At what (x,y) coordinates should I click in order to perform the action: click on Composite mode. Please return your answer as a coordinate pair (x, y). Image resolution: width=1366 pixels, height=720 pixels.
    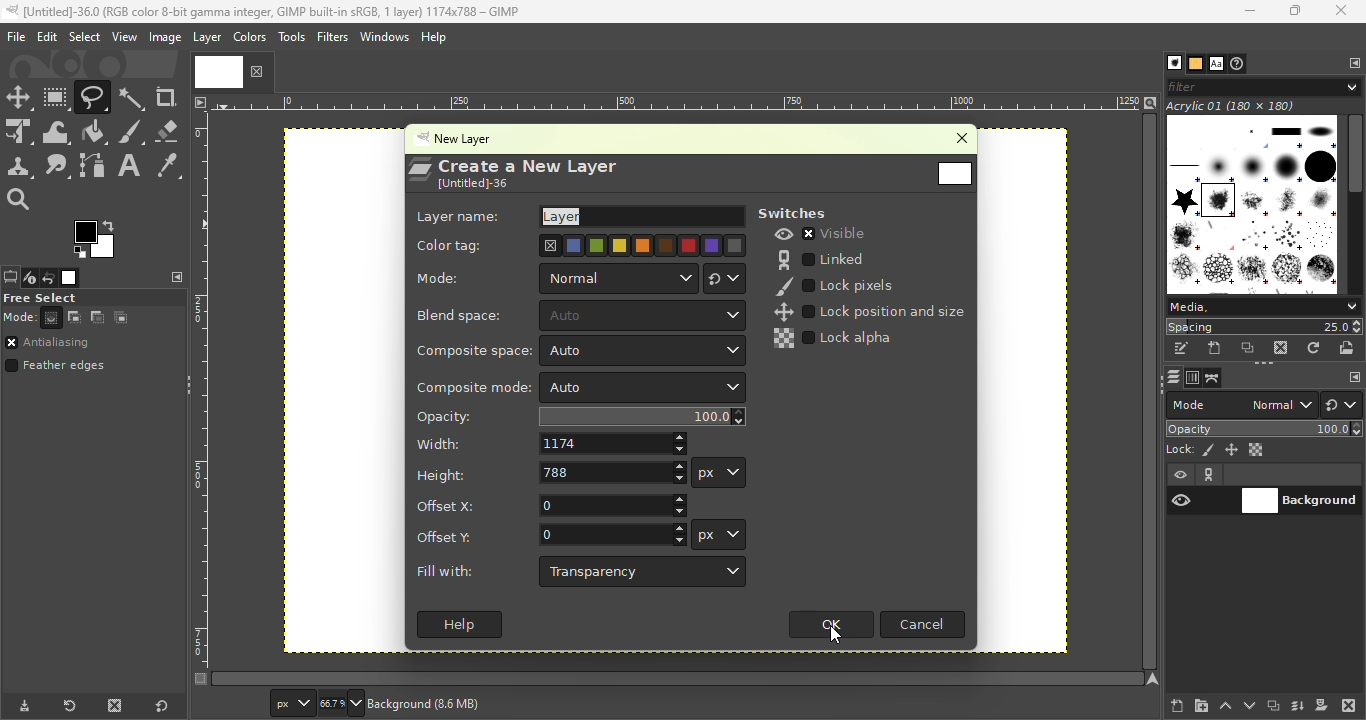
    Looking at the image, I should click on (578, 388).